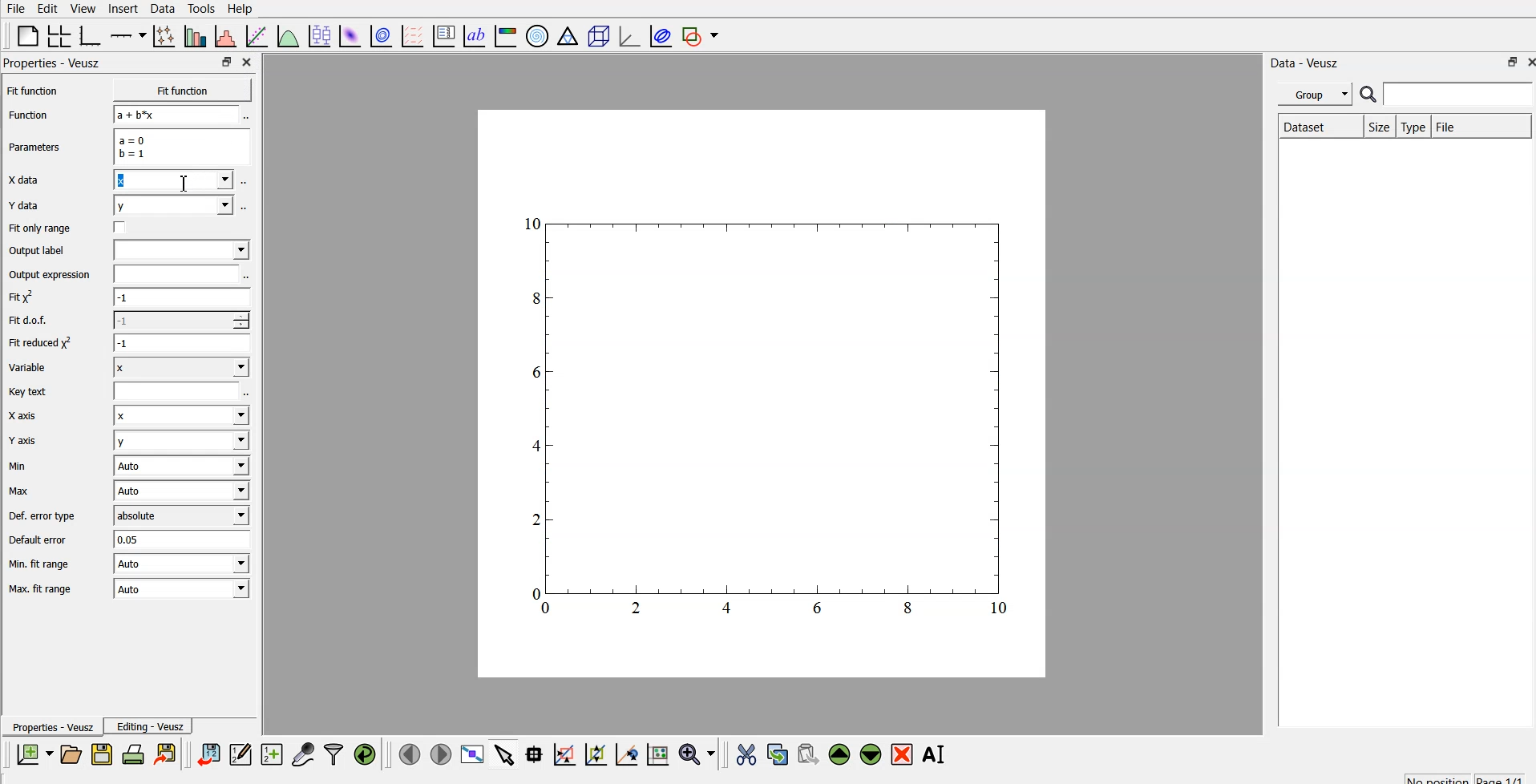 The image size is (1536, 784). I want to click on click to recenter graph axes, so click(629, 755).